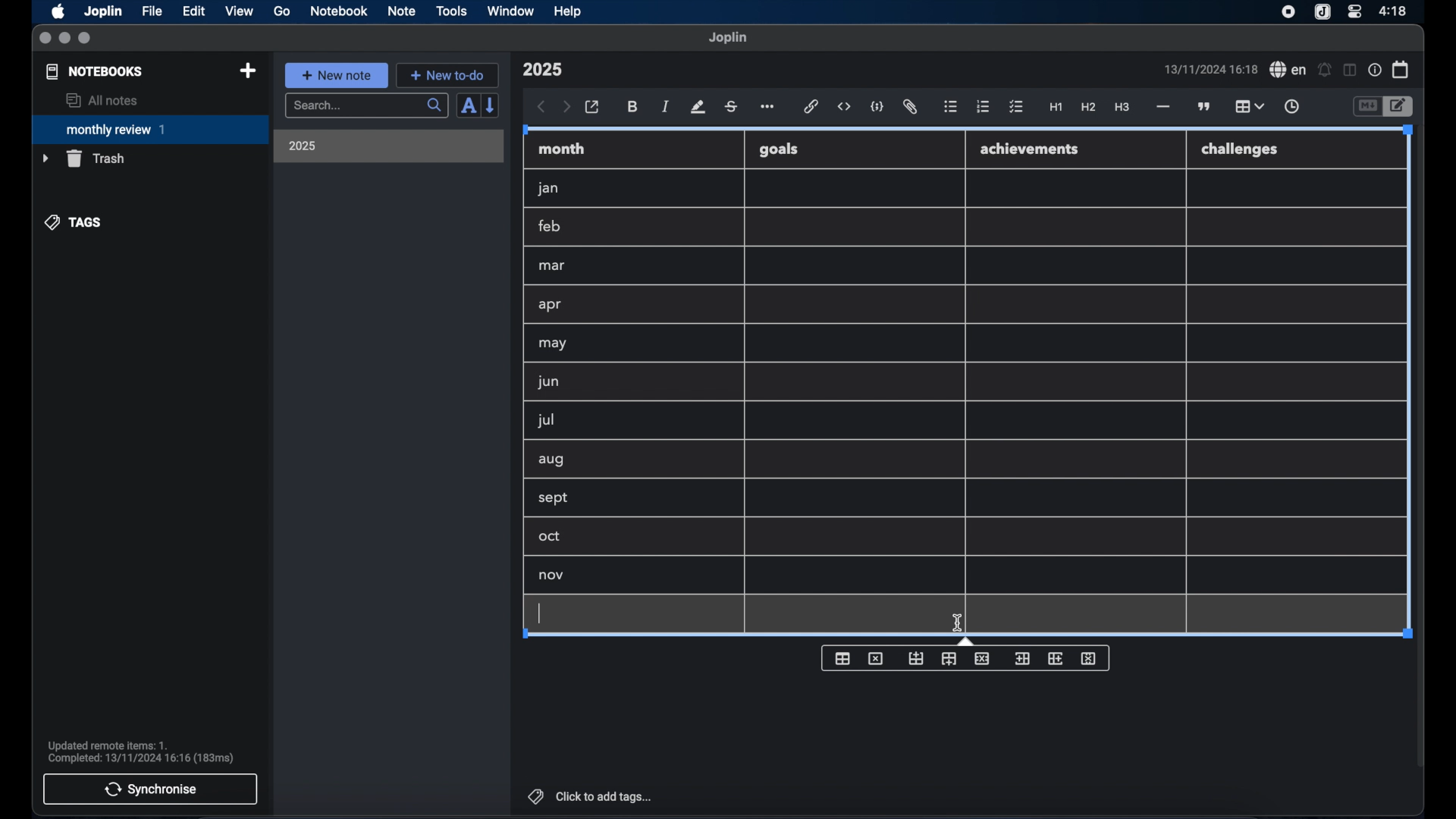  Describe the element at coordinates (86, 39) in the screenshot. I see `maximize` at that location.